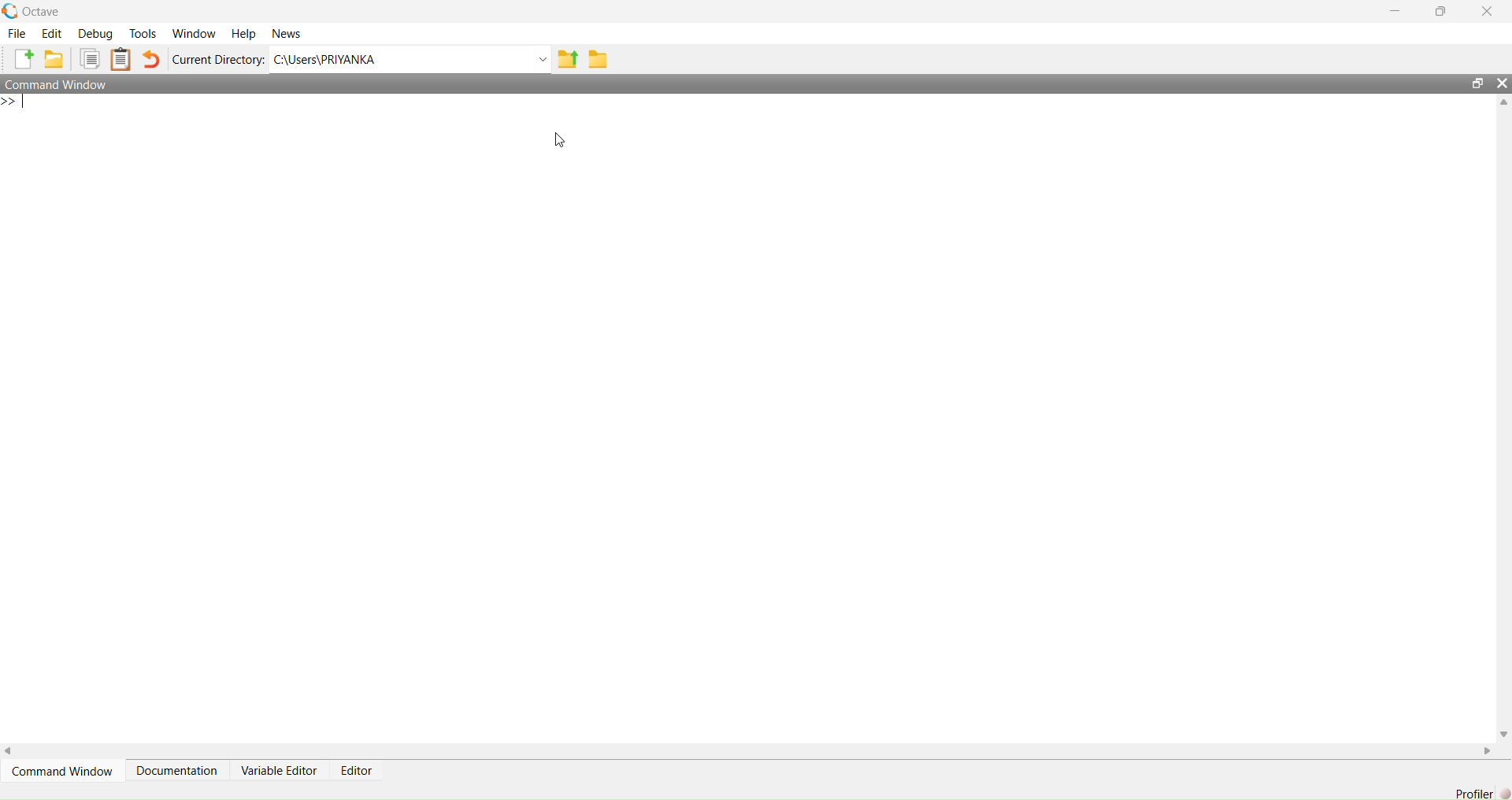  I want to click on Undock Widget, so click(1478, 83).